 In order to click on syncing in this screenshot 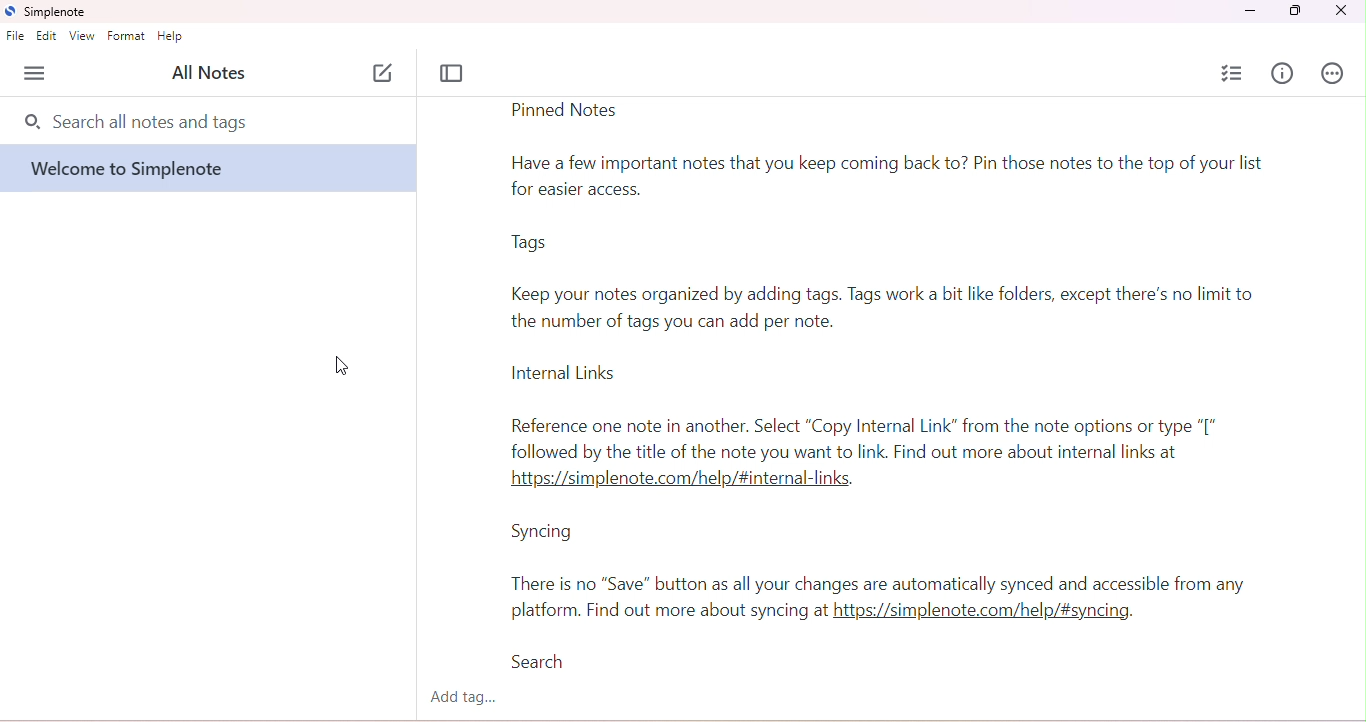, I will do `click(541, 532)`.